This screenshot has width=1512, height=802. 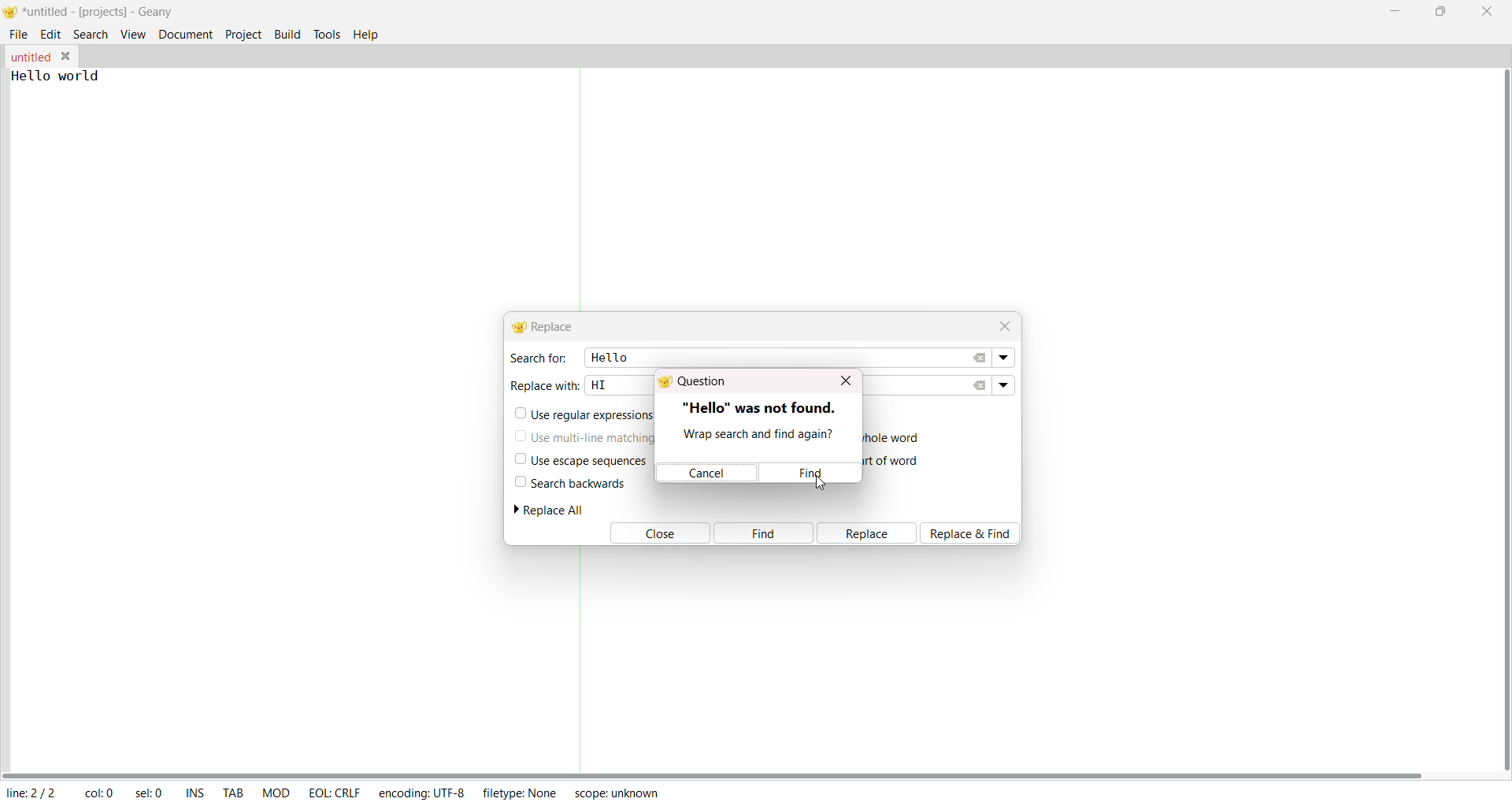 What do you see at coordinates (583, 190) in the screenshot?
I see `Separator` at bounding box center [583, 190].